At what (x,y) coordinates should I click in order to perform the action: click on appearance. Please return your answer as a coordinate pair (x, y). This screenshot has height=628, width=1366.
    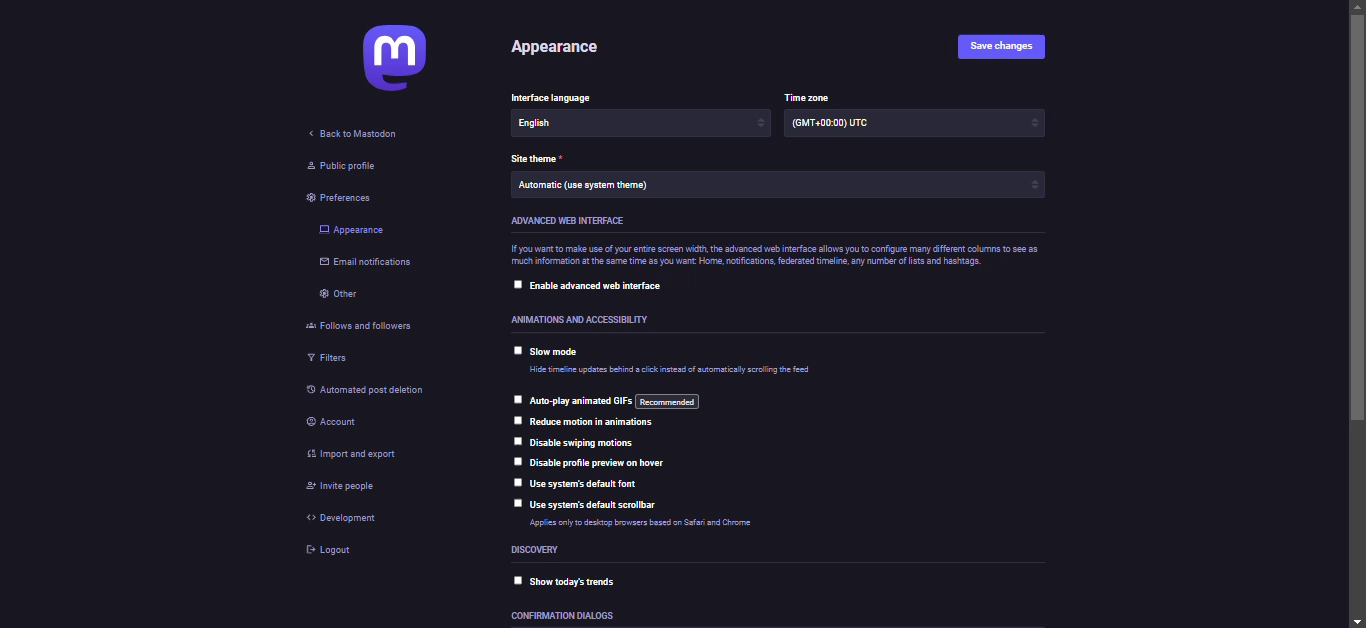
    Looking at the image, I should click on (352, 230).